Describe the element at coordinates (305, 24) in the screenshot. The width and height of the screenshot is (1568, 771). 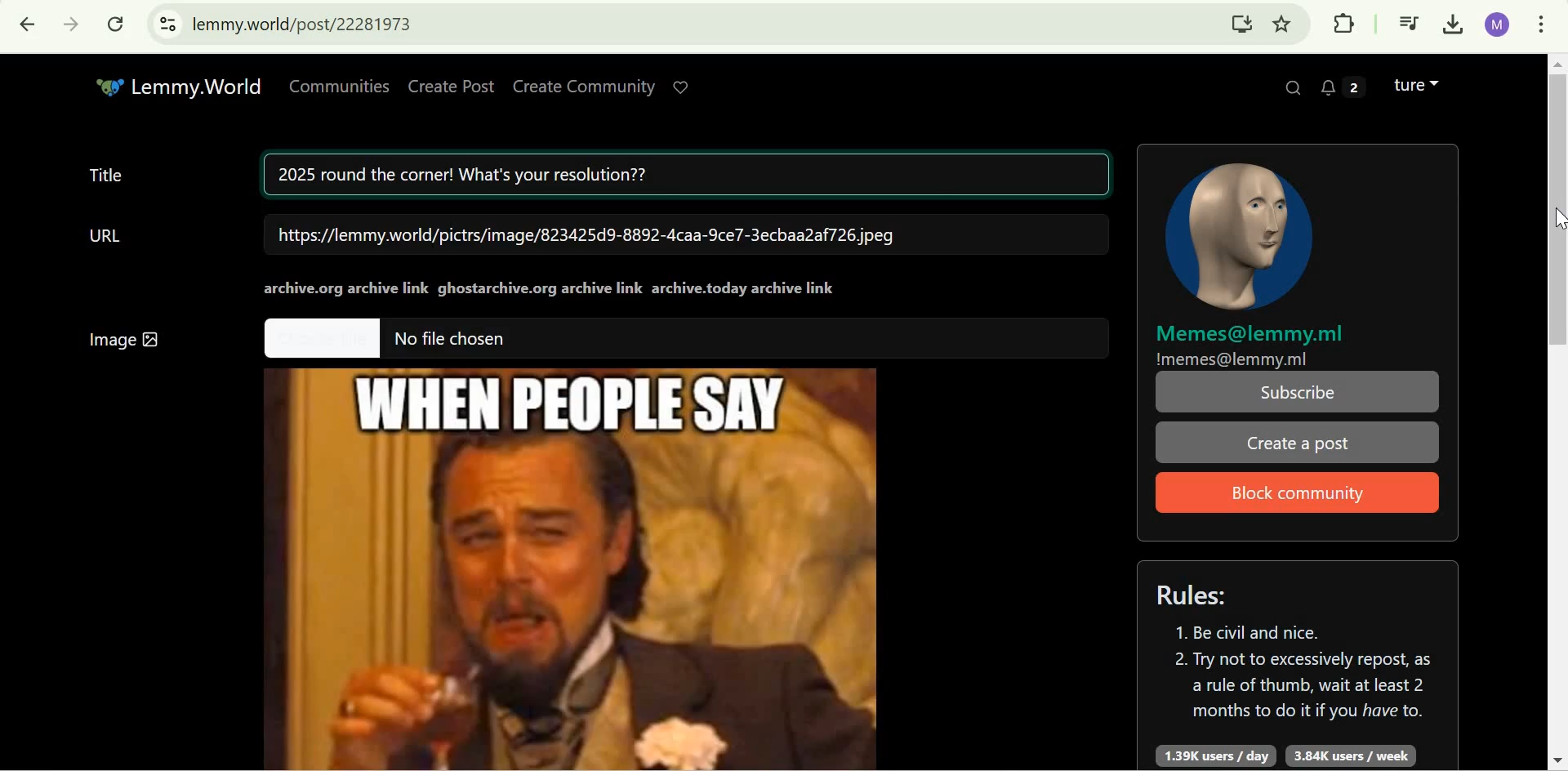
I see `lemmy.world/post/22281973` at that location.